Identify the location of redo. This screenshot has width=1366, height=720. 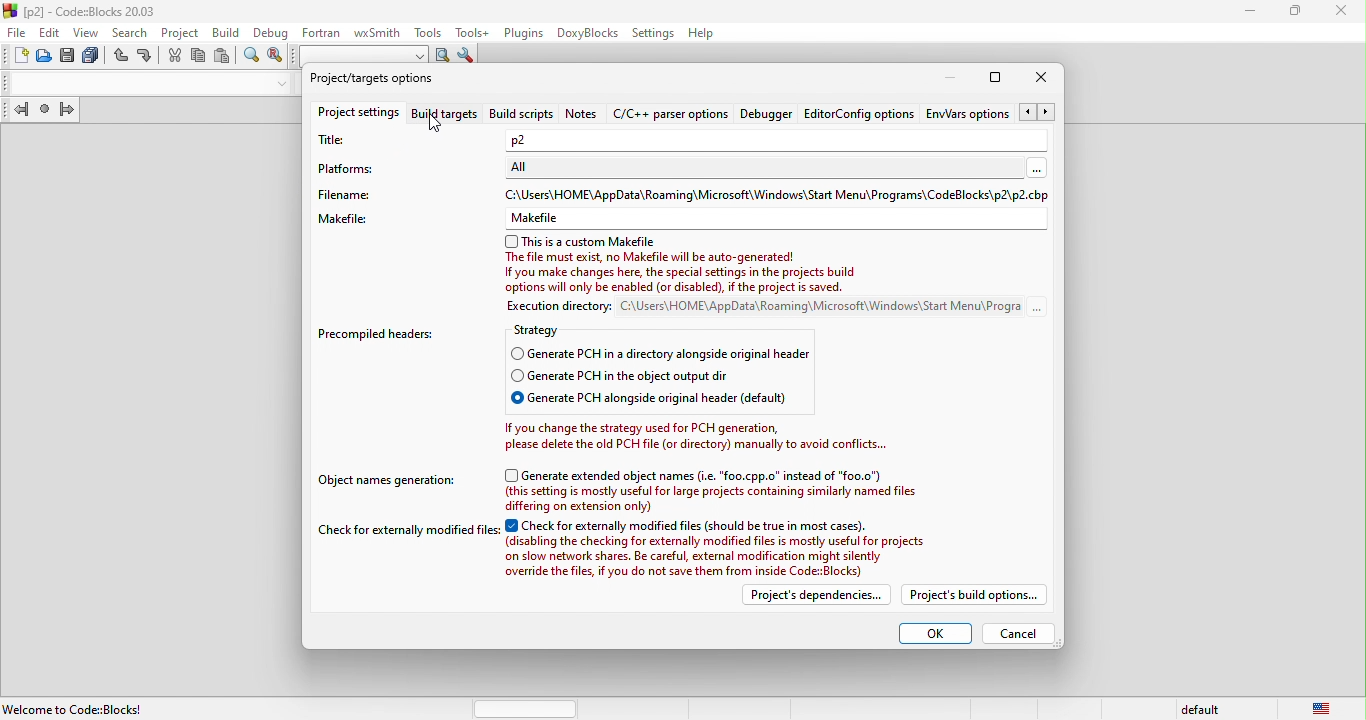
(146, 57).